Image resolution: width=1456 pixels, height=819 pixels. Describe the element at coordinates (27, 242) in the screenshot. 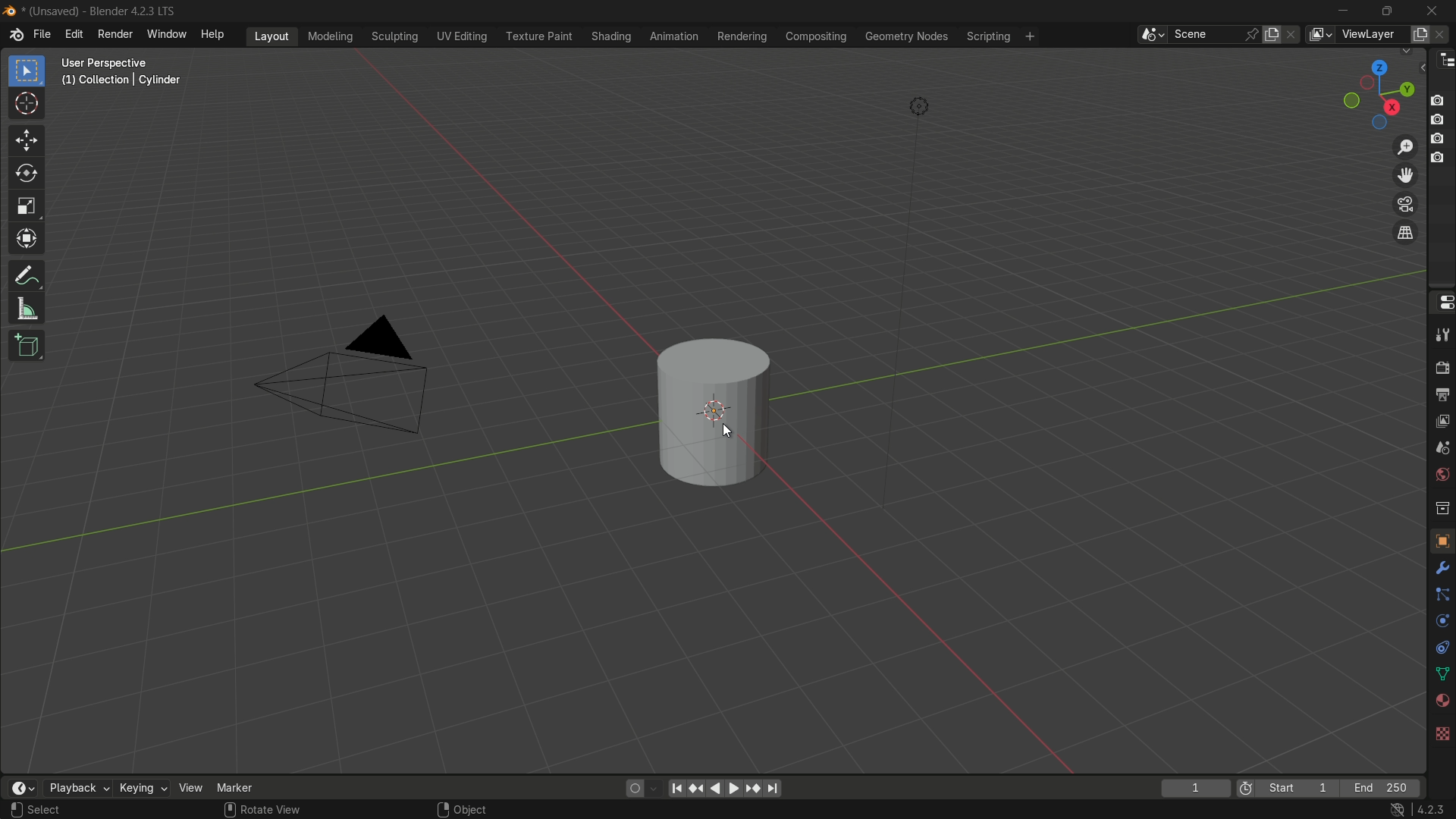

I see `transform` at that location.